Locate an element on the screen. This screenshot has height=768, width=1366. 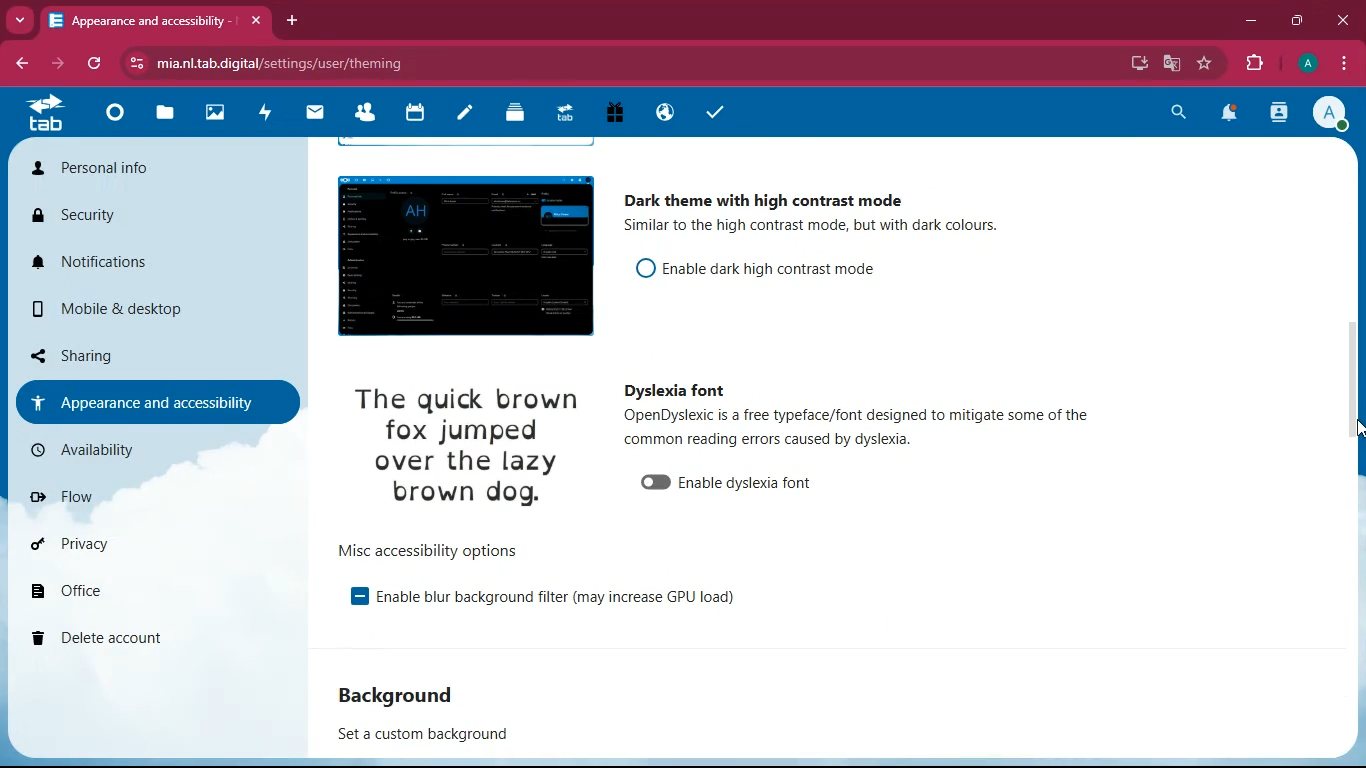
images is located at coordinates (220, 113).